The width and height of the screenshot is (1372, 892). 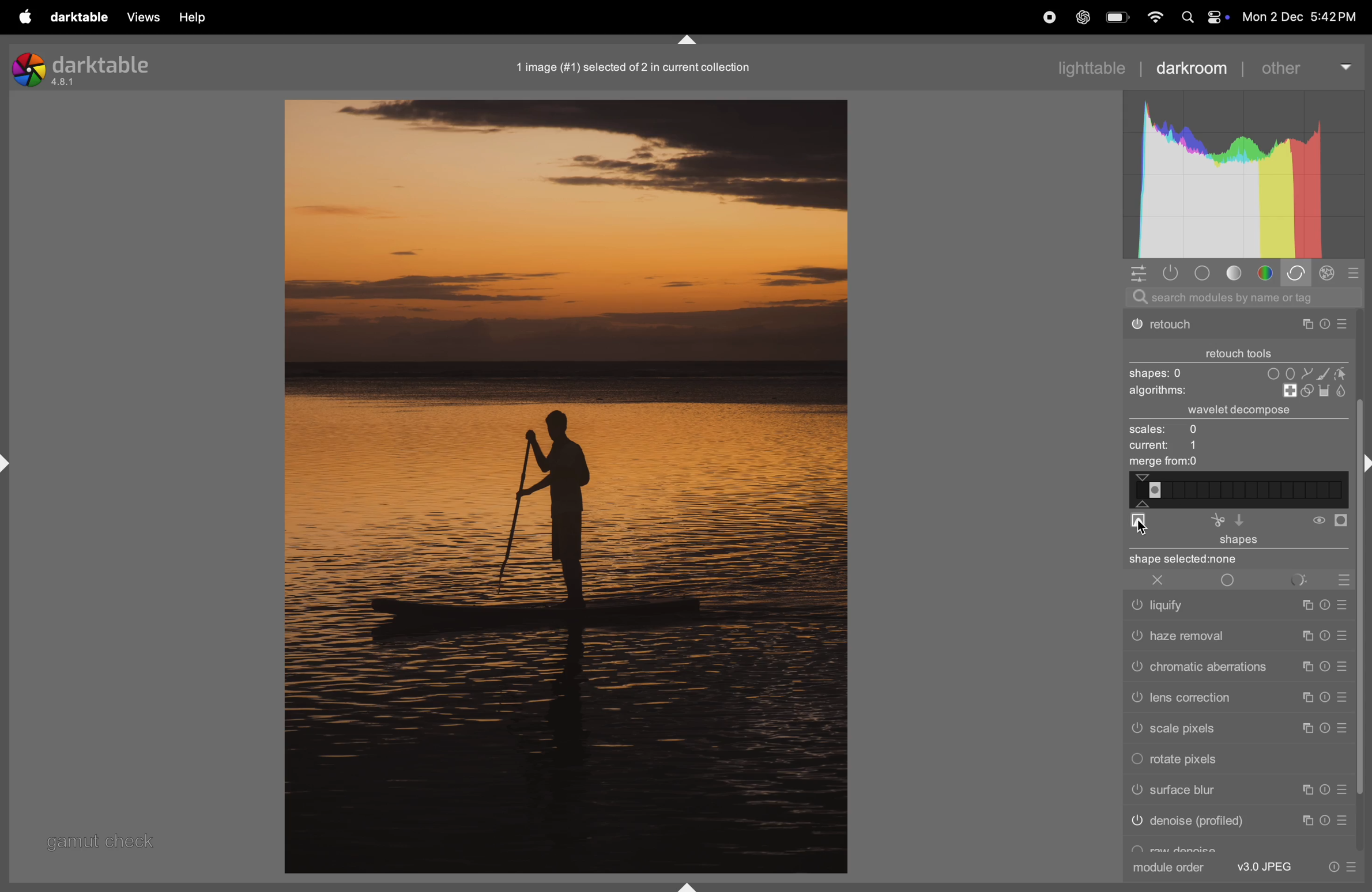 What do you see at coordinates (1330, 522) in the screenshot?
I see `displaymask` at bounding box center [1330, 522].